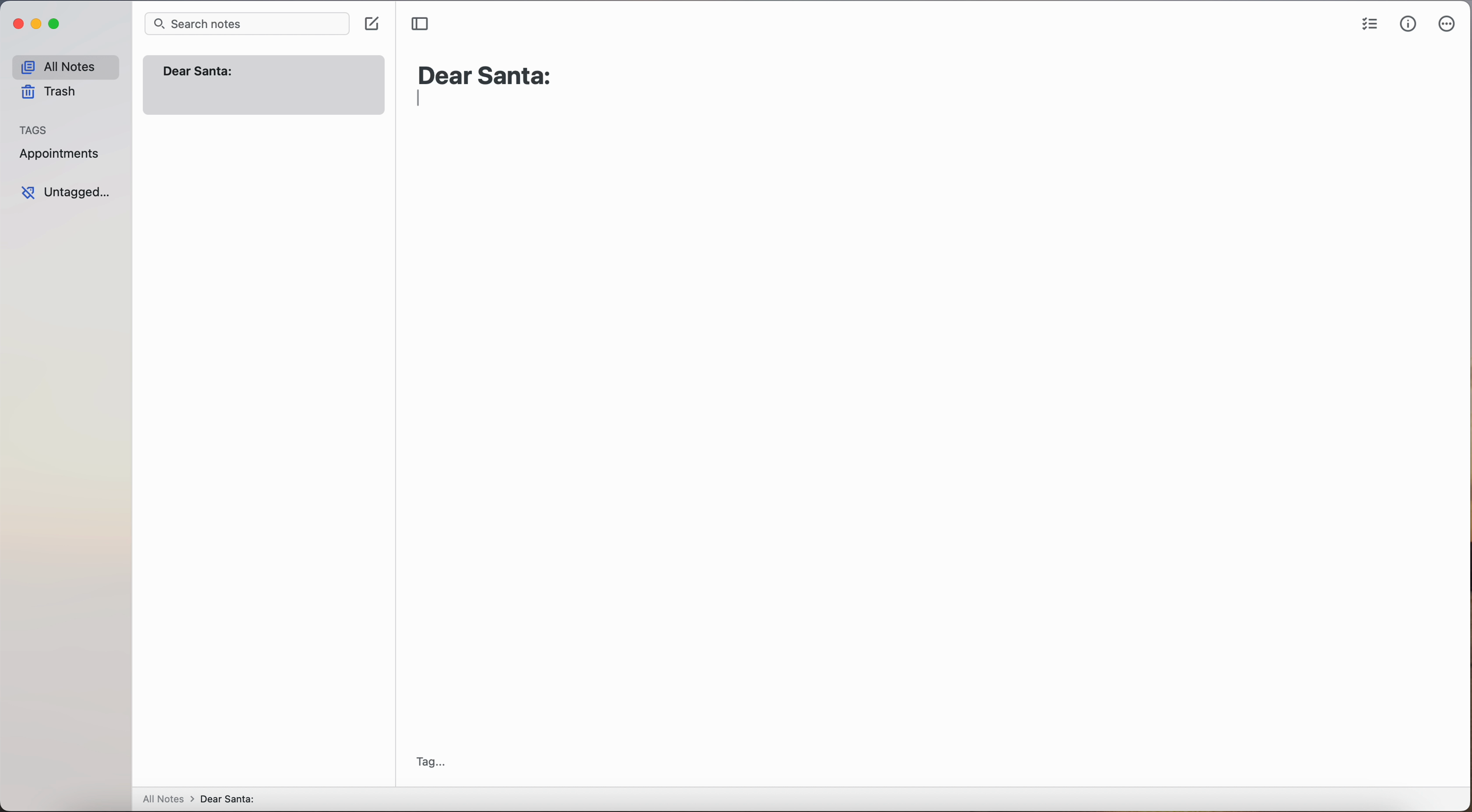 This screenshot has height=812, width=1472. I want to click on trash, so click(54, 91).